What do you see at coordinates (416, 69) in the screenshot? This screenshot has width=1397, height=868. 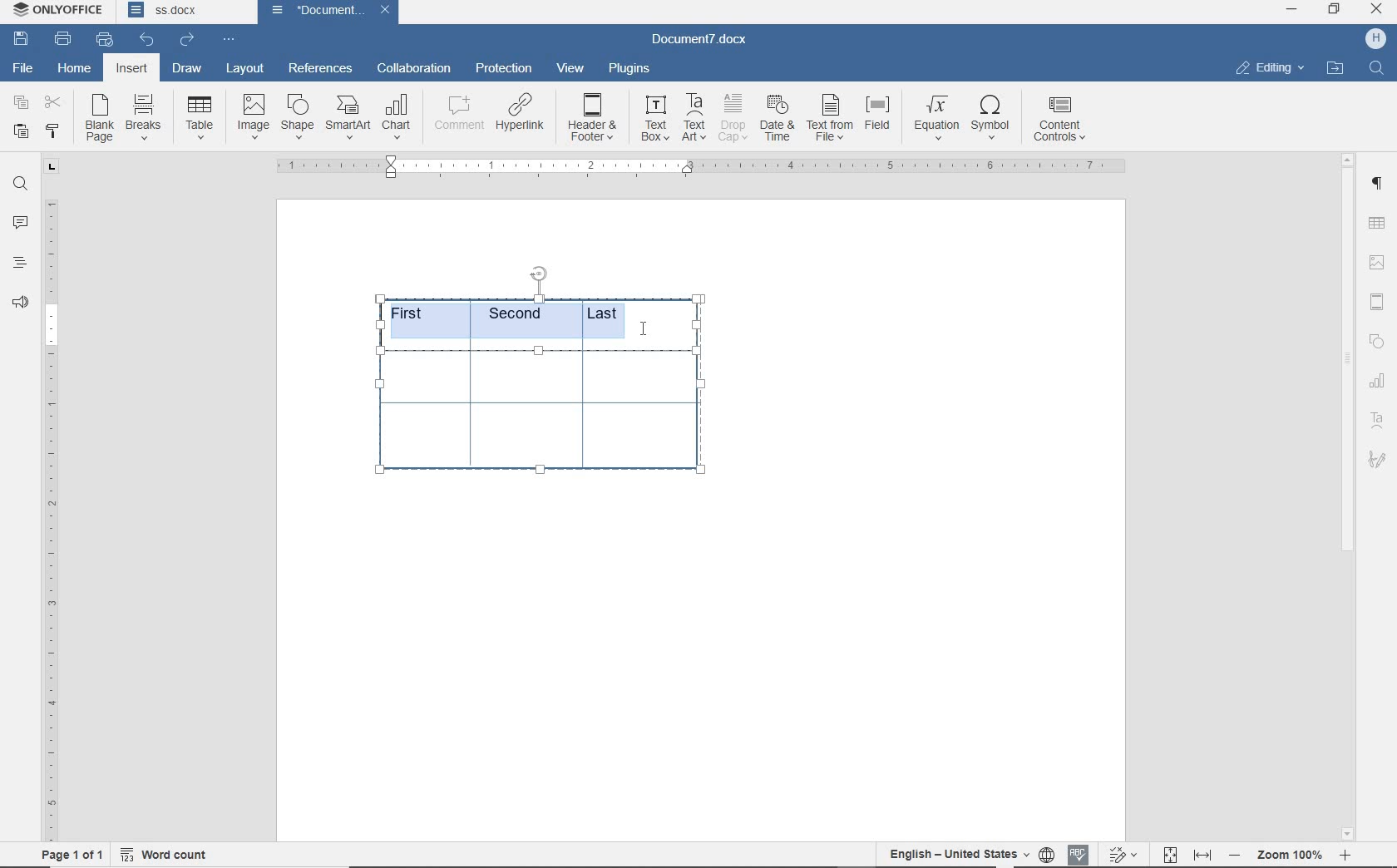 I see `collaboration` at bounding box center [416, 69].